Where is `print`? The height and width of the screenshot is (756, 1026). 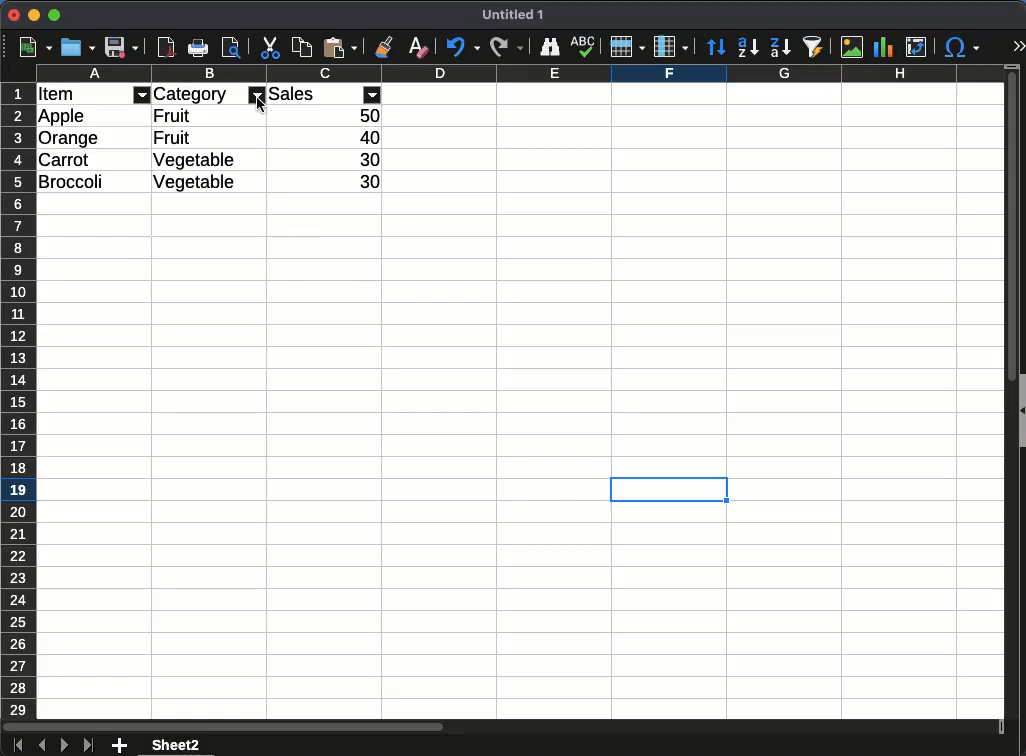
print is located at coordinates (197, 47).